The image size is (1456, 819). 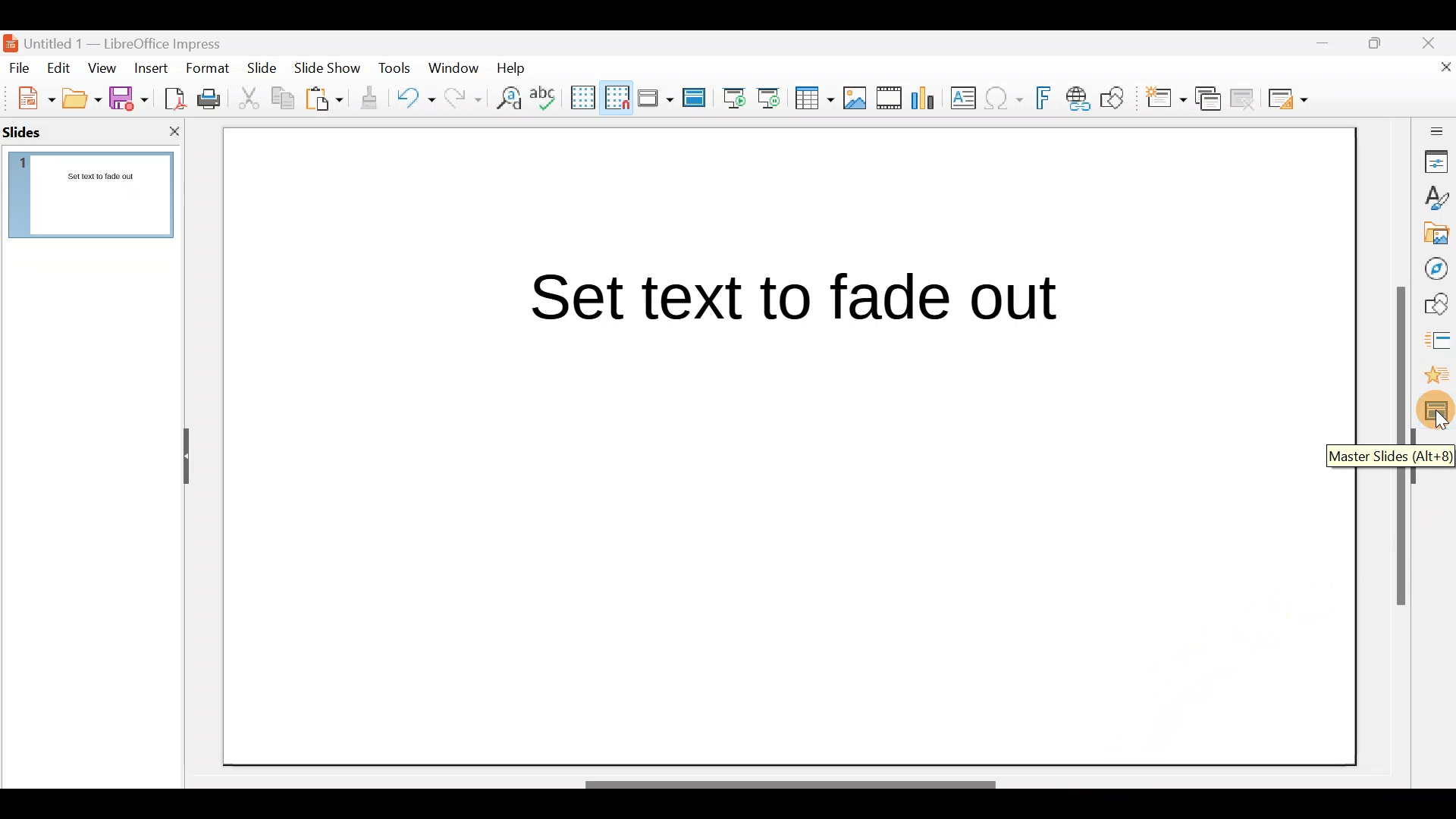 What do you see at coordinates (696, 99) in the screenshot?
I see `Master slide` at bounding box center [696, 99].